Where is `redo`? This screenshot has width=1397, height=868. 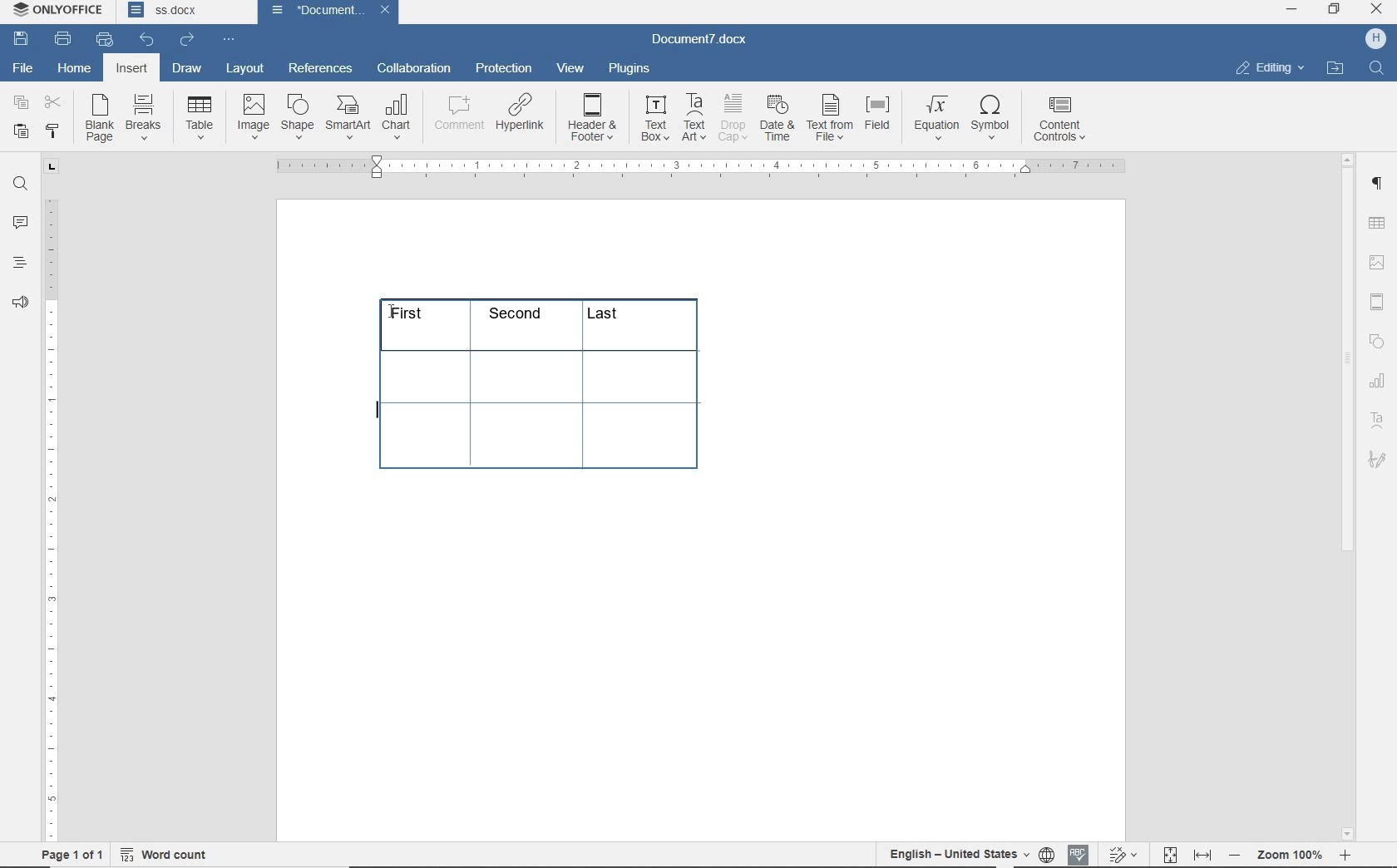 redo is located at coordinates (186, 39).